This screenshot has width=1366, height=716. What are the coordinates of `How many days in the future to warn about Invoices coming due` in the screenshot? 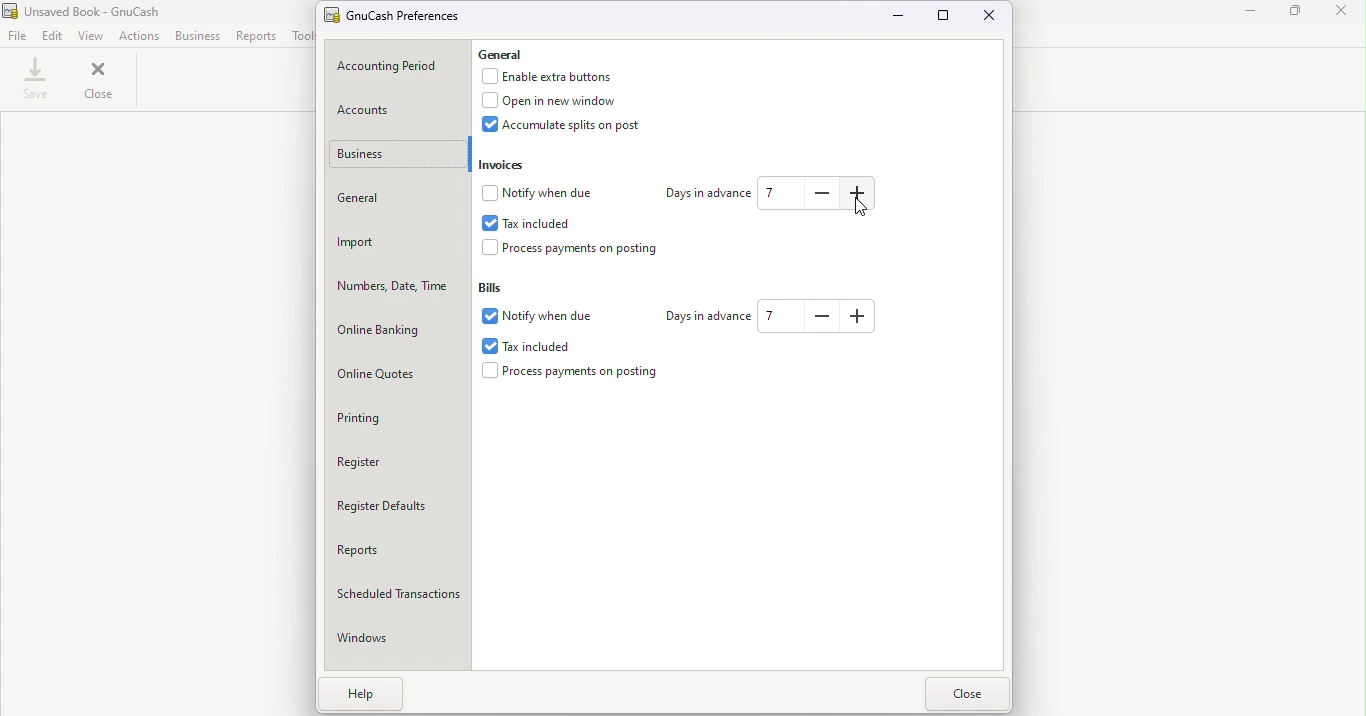 It's located at (782, 193).